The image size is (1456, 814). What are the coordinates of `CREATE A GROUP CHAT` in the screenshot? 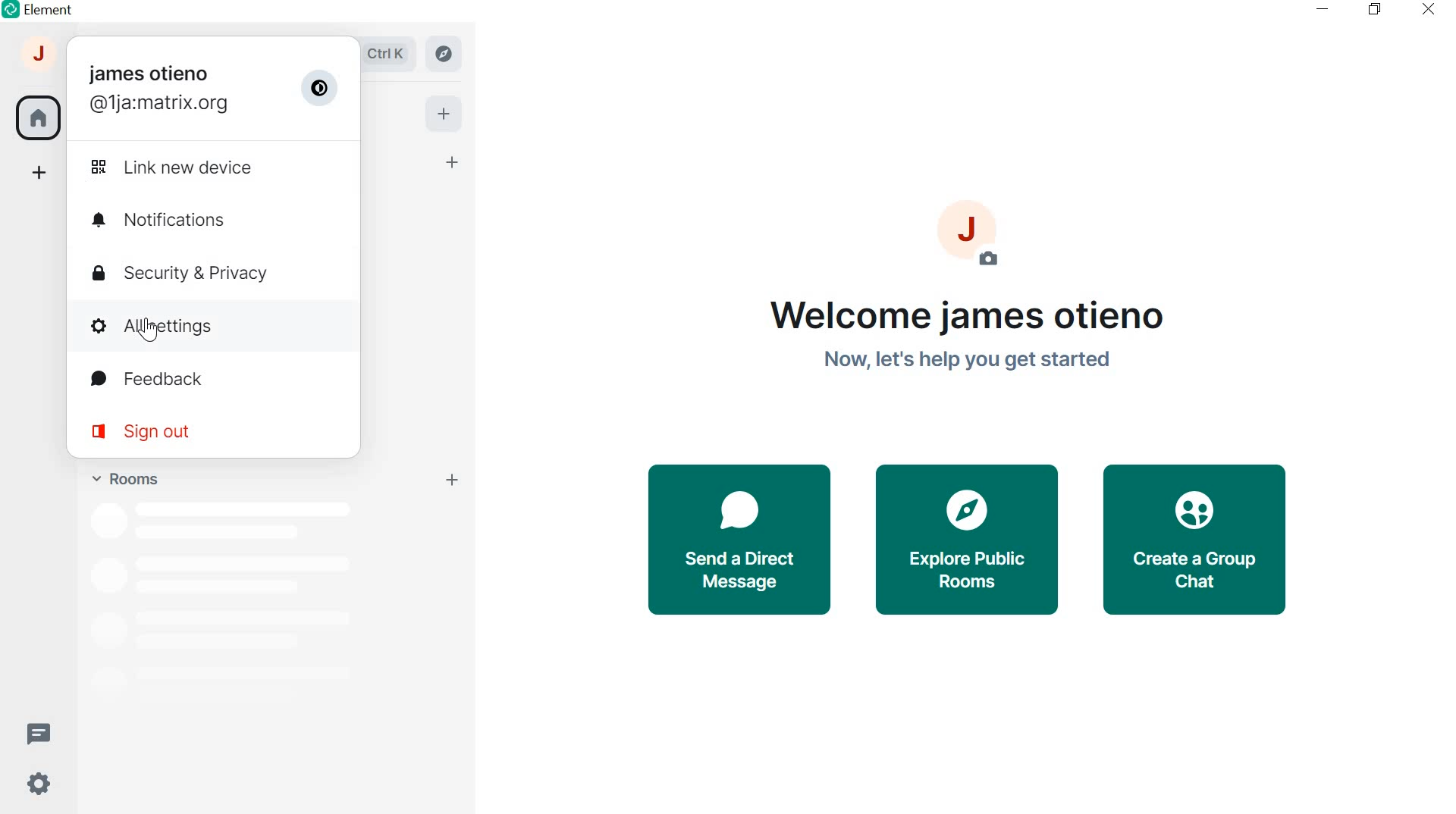 It's located at (1201, 541).